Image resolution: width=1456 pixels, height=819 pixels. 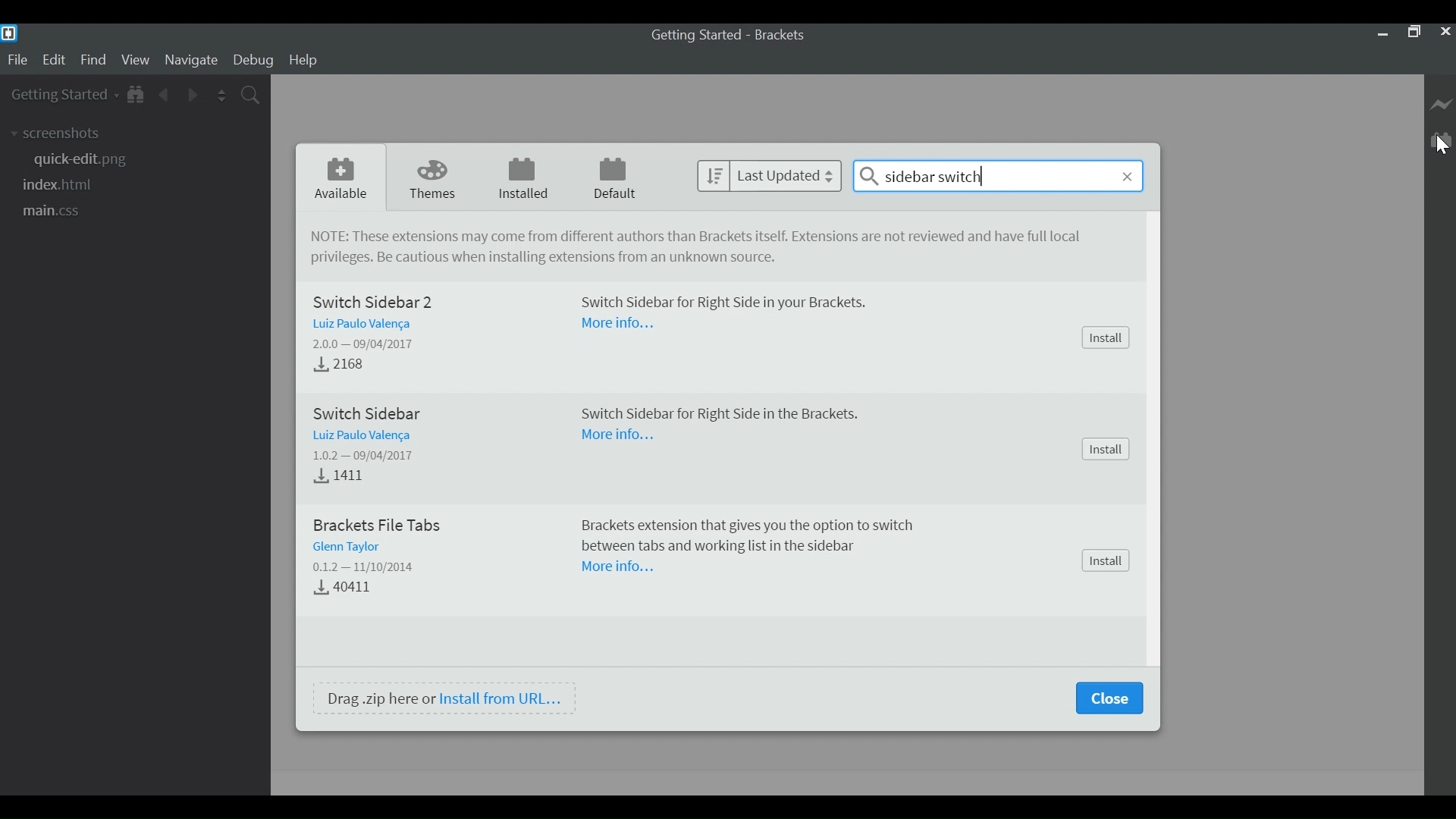 What do you see at coordinates (1445, 32) in the screenshot?
I see `Close` at bounding box center [1445, 32].